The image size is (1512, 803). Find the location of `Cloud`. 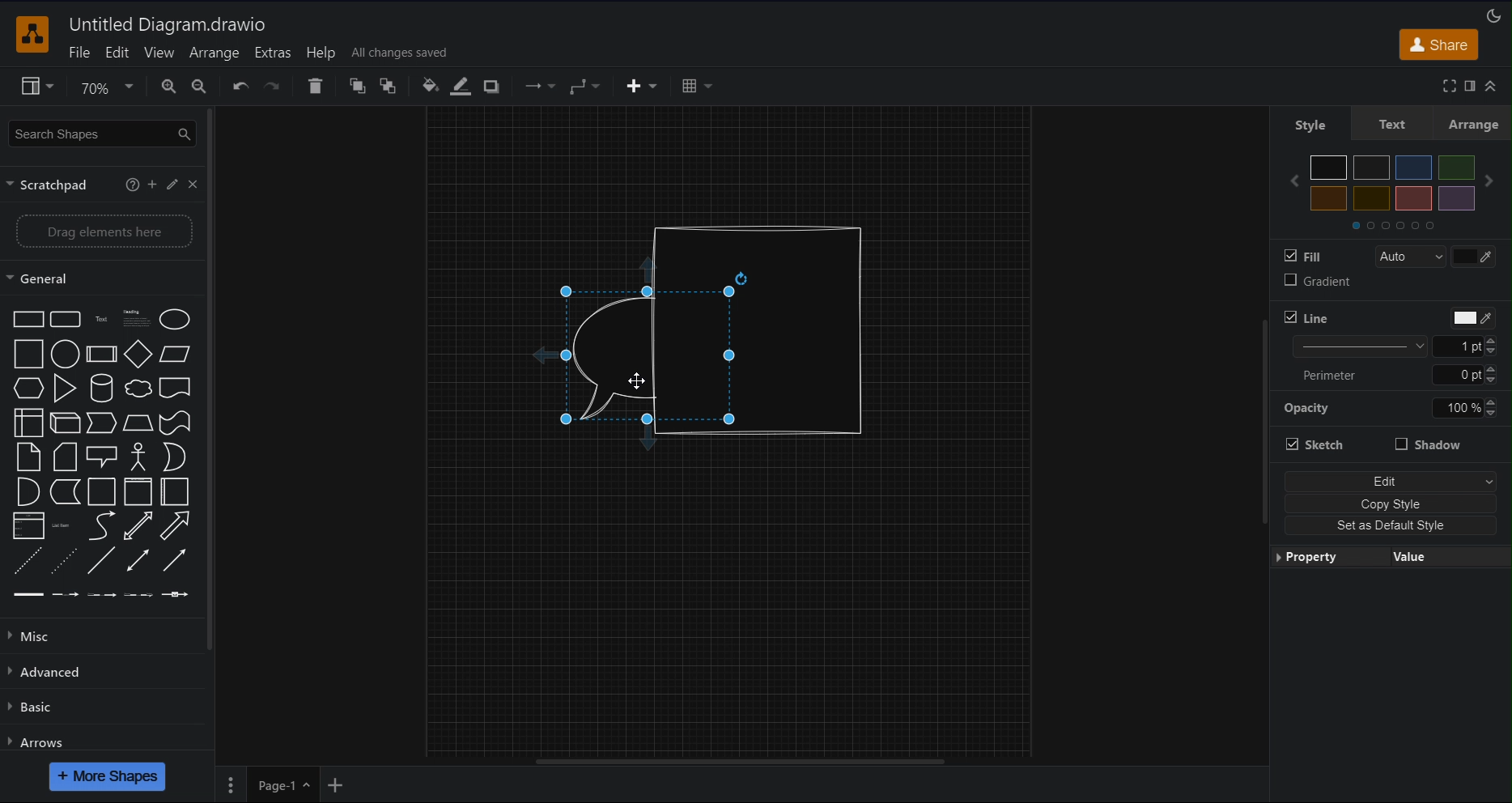

Cloud is located at coordinates (138, 389).